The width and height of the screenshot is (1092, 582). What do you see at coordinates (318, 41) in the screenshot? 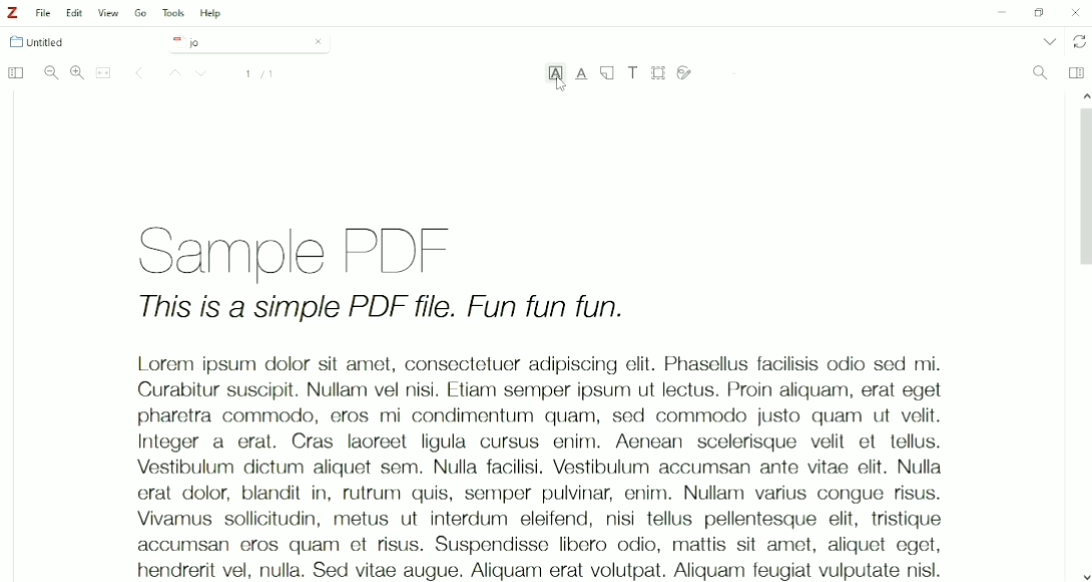
I see `Close` at bounding box center [318, 41].